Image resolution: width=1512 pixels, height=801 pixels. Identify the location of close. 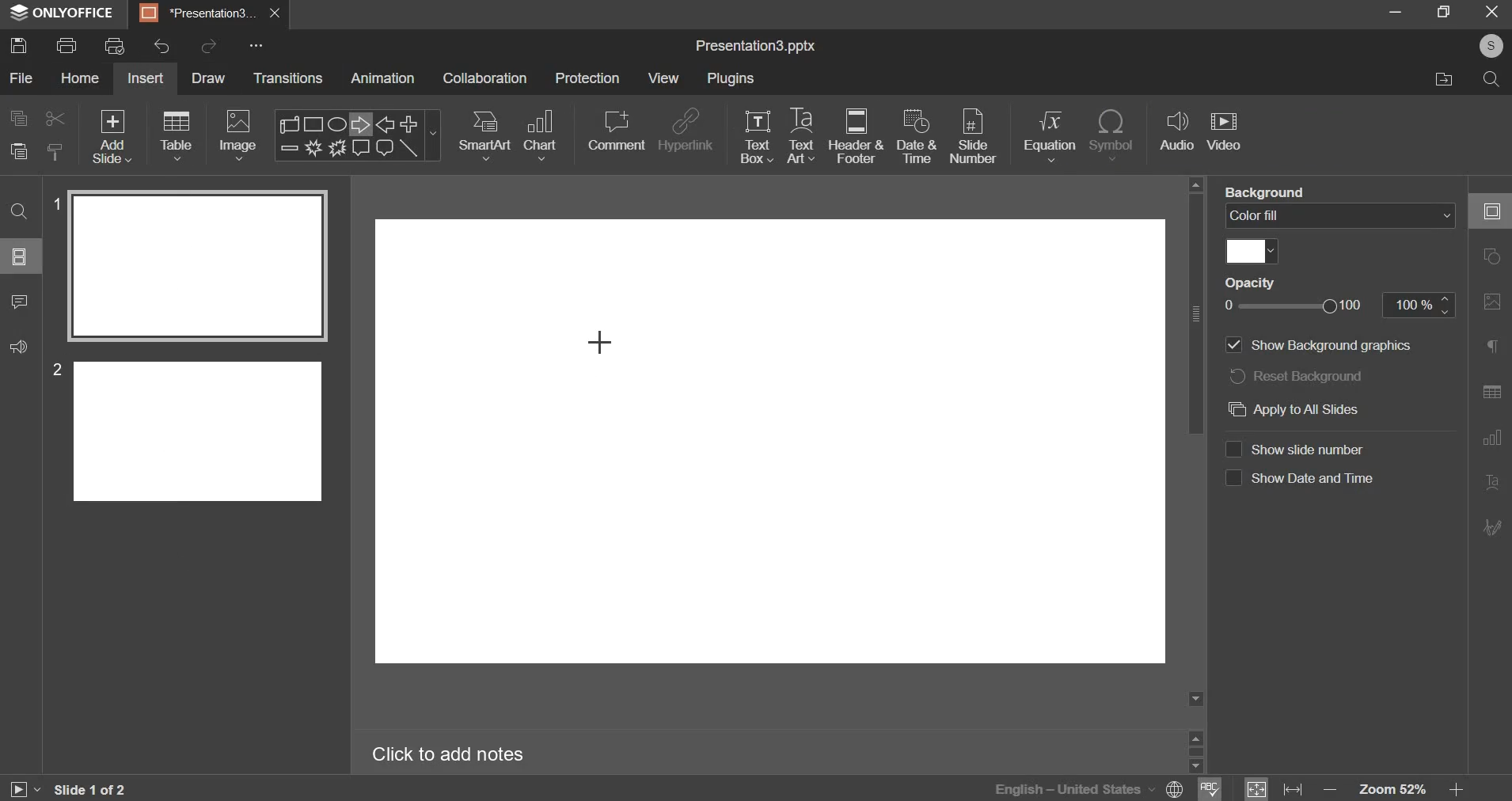
(275, 13).